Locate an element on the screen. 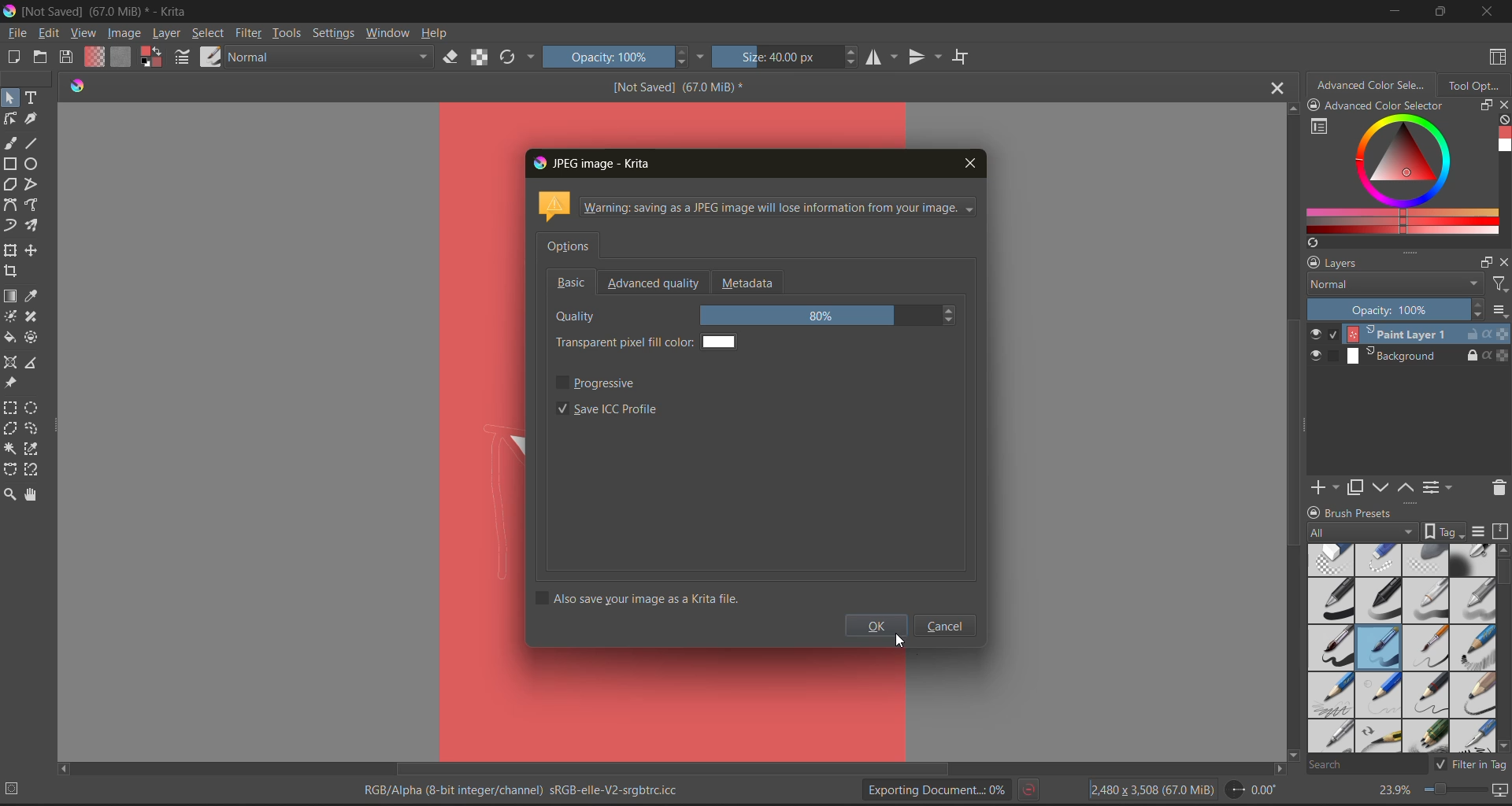 This screenshot has height=806, width=1512. tools is located at coordinates (33, 316).